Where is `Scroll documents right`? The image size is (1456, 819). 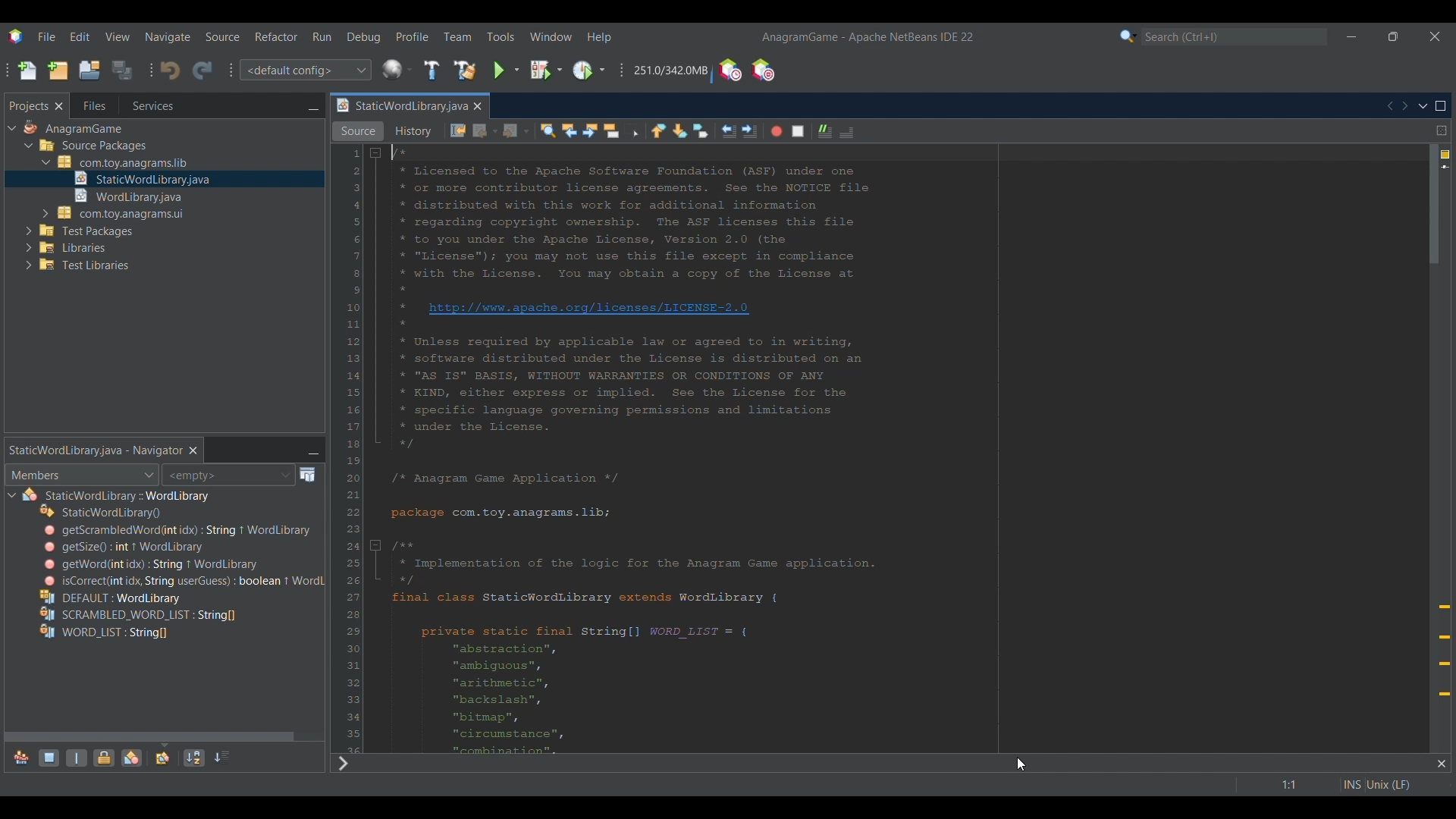
Scroll documents right is located at coordinates (1404, 106).